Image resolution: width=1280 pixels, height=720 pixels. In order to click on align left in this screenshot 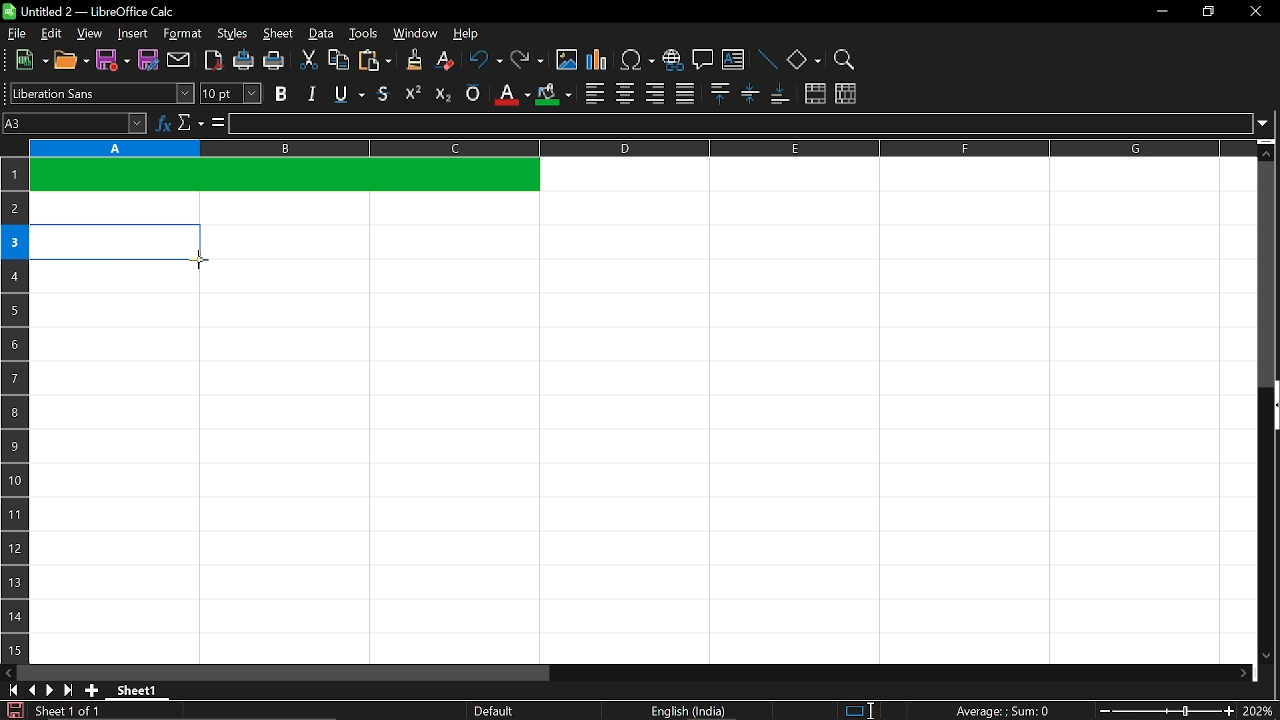, I will do `click(594, 92)`.